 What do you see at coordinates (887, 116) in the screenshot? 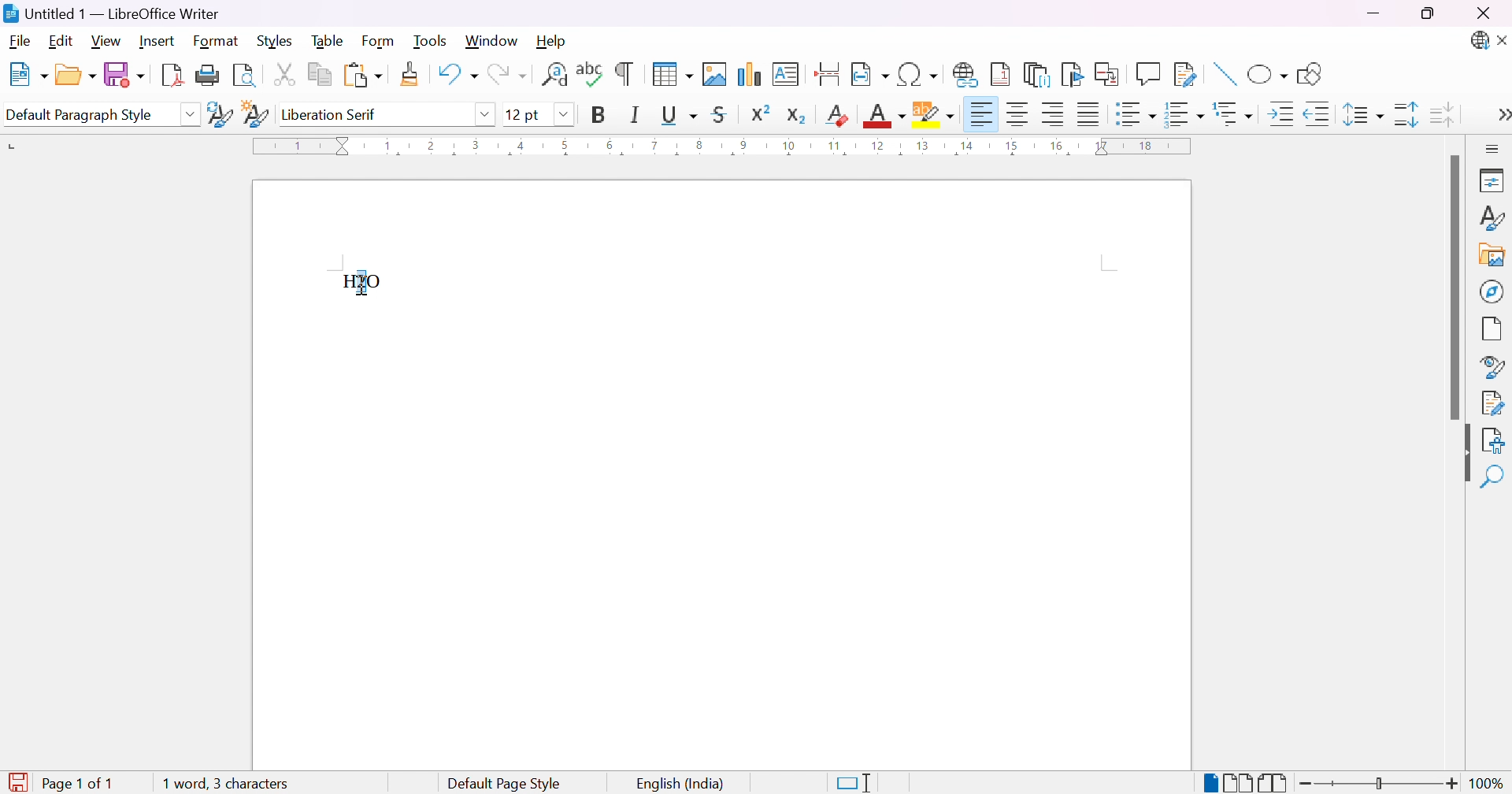
I see `Font color` at bounding box center [887, 116].